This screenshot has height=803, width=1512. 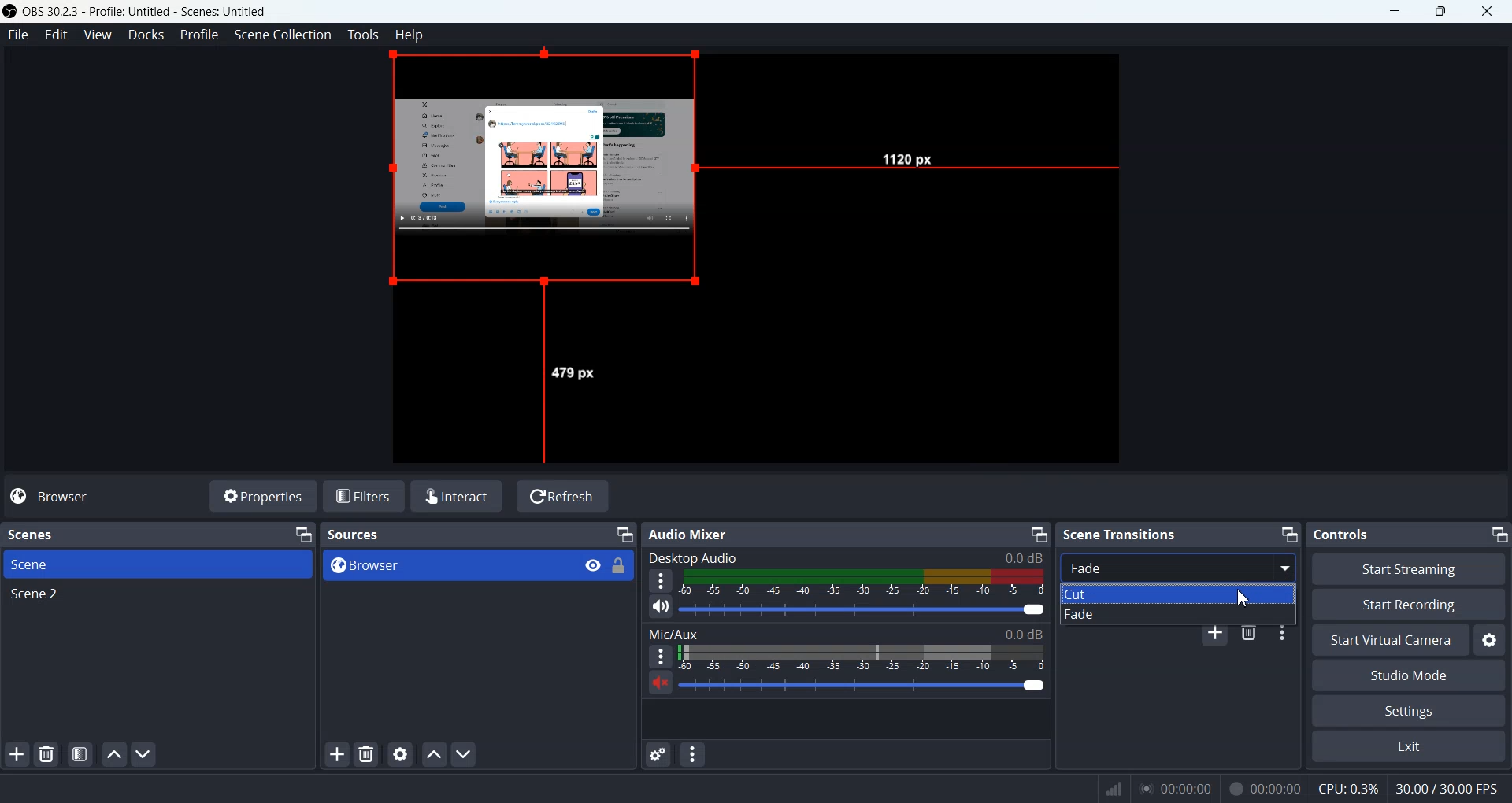 What do you see at coordinates (1409, 710) in the screenshot?
I see `Settings` at bounding box center [1409, 710].